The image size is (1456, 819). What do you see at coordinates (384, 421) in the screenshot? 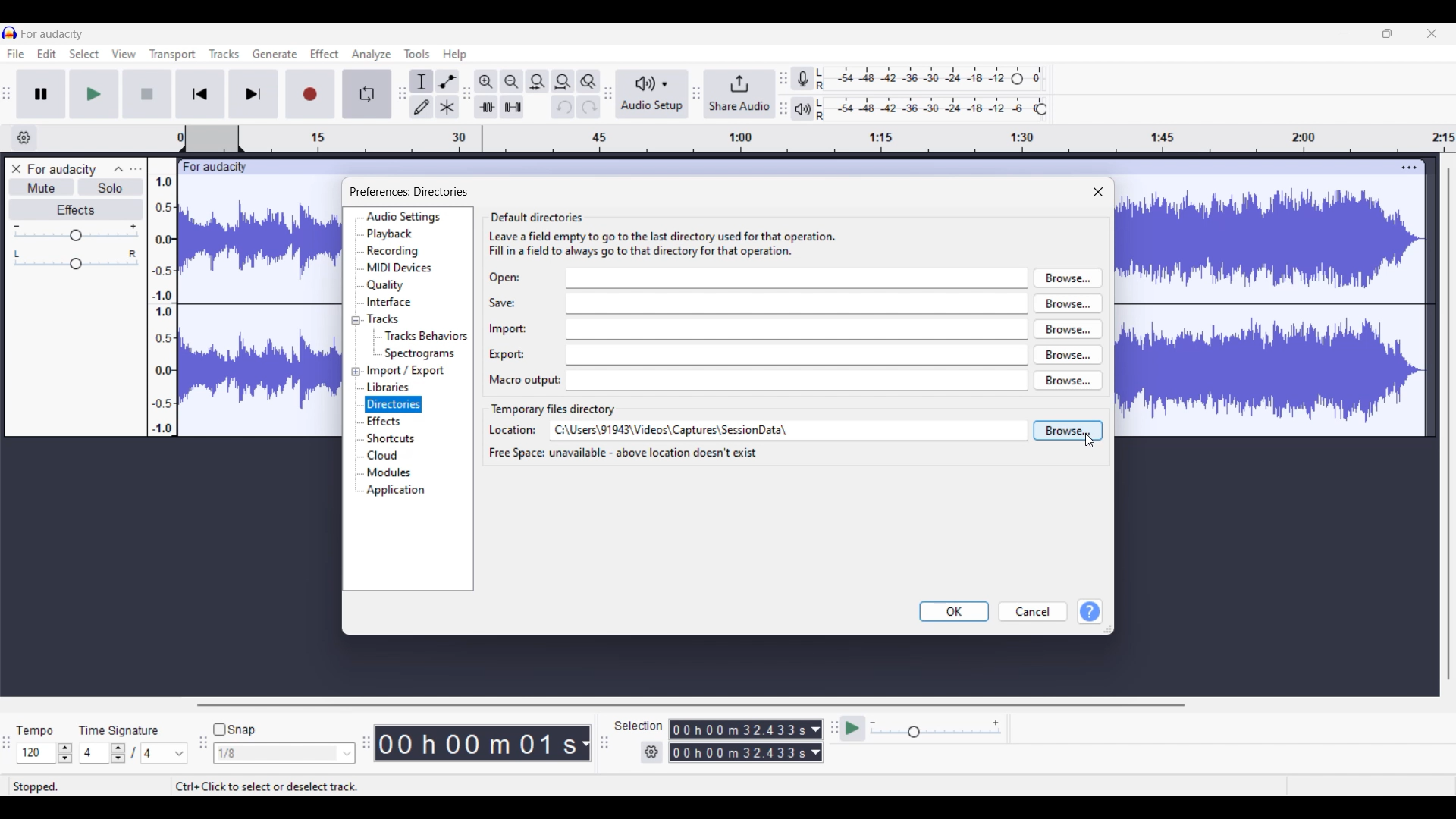
I see `Effects` at bounding box center [384, 421].